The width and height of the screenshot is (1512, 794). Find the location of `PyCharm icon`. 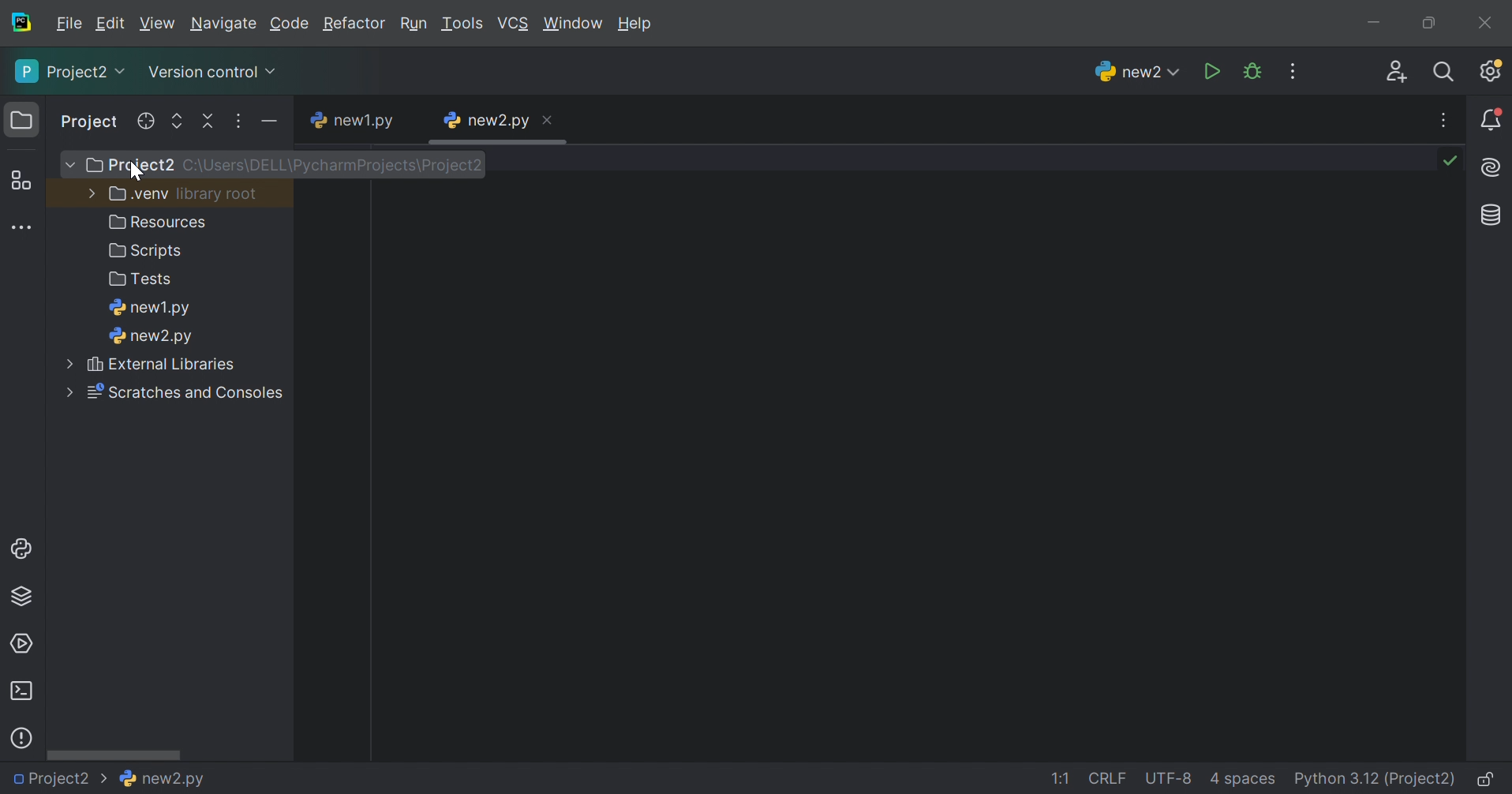

PyCharm icon is located at coordinates (24, 23).